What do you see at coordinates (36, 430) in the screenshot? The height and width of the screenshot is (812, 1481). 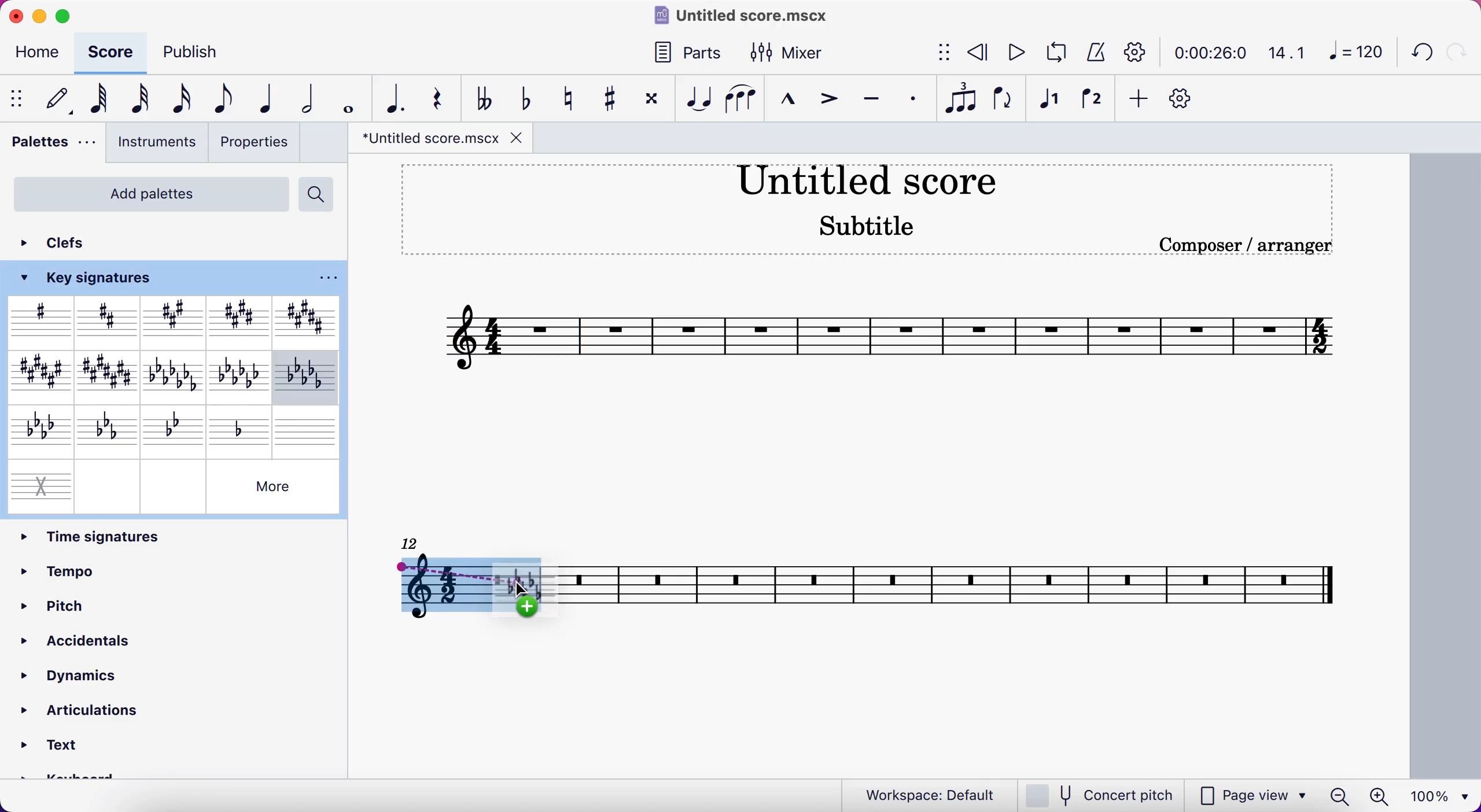 I see `F minor` at bounding box center [36, 430].